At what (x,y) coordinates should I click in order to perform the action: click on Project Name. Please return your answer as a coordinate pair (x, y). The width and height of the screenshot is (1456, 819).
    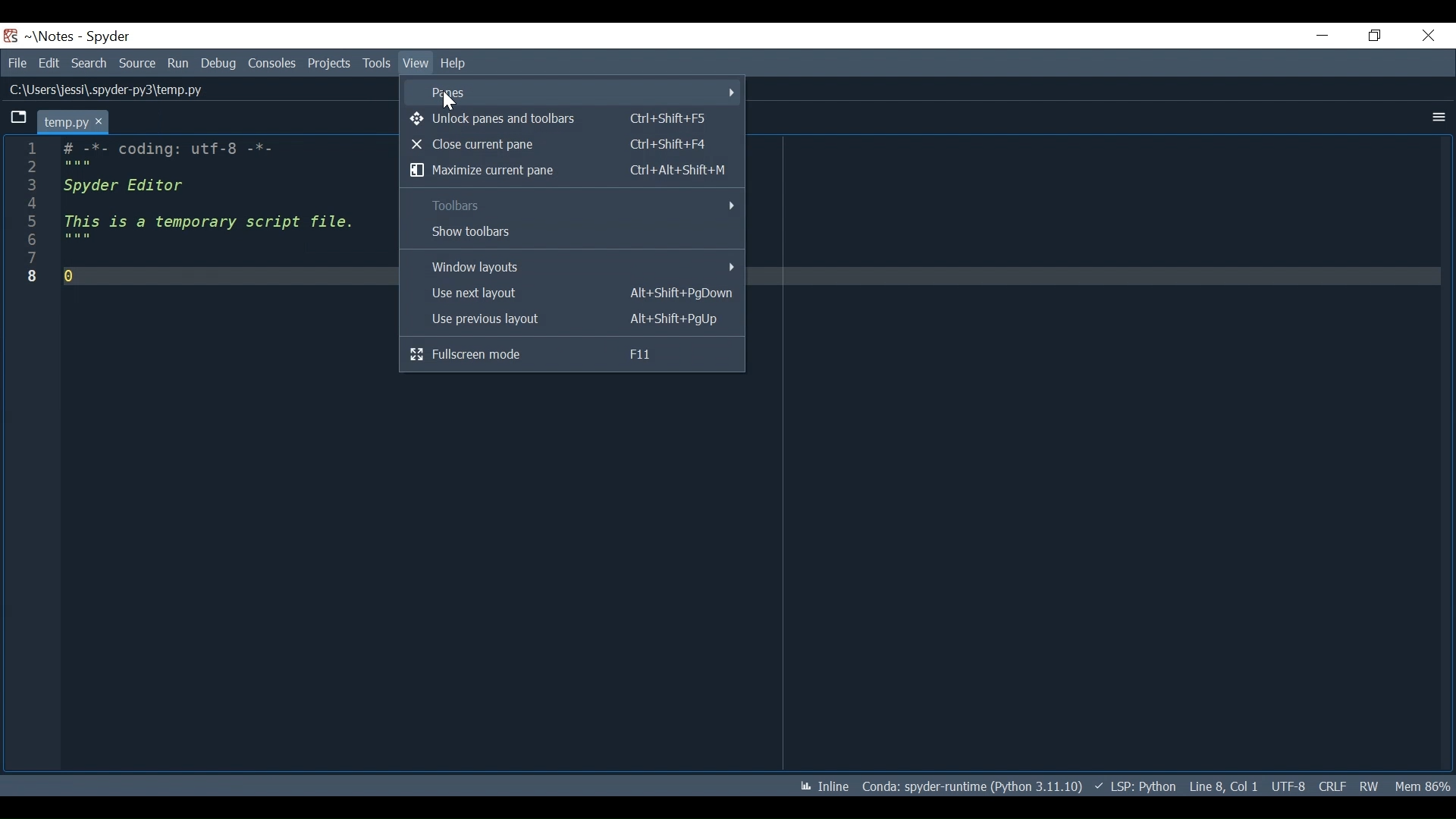
    Looking at the image, I should click on (51, 36).